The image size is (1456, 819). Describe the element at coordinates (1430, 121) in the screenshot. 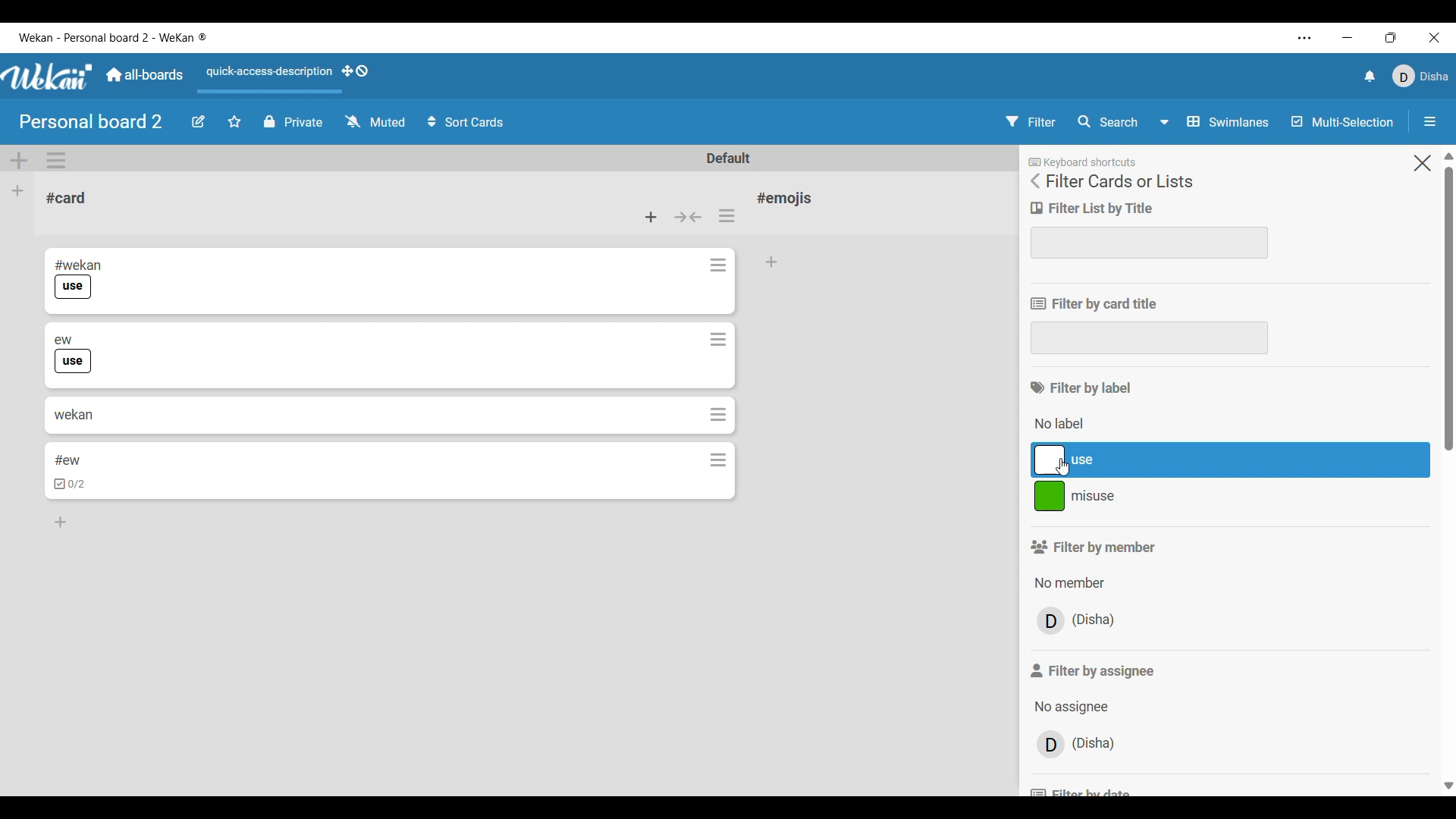

I see `Open/Close sidebar` at that location.